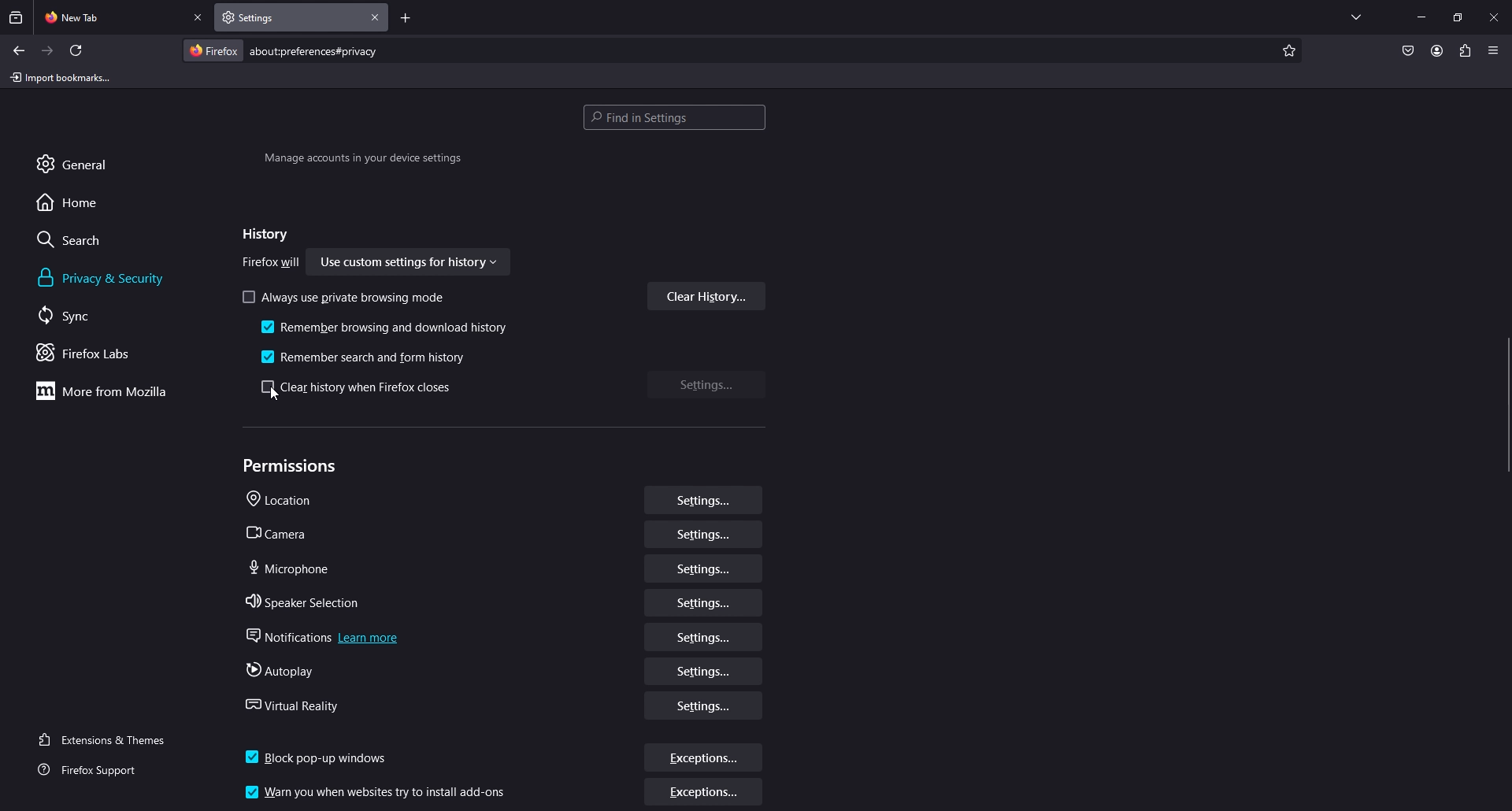 Image resolution: width=1512 pixels, height=811 pixels. I want to click on close tab, so click(376, 17).